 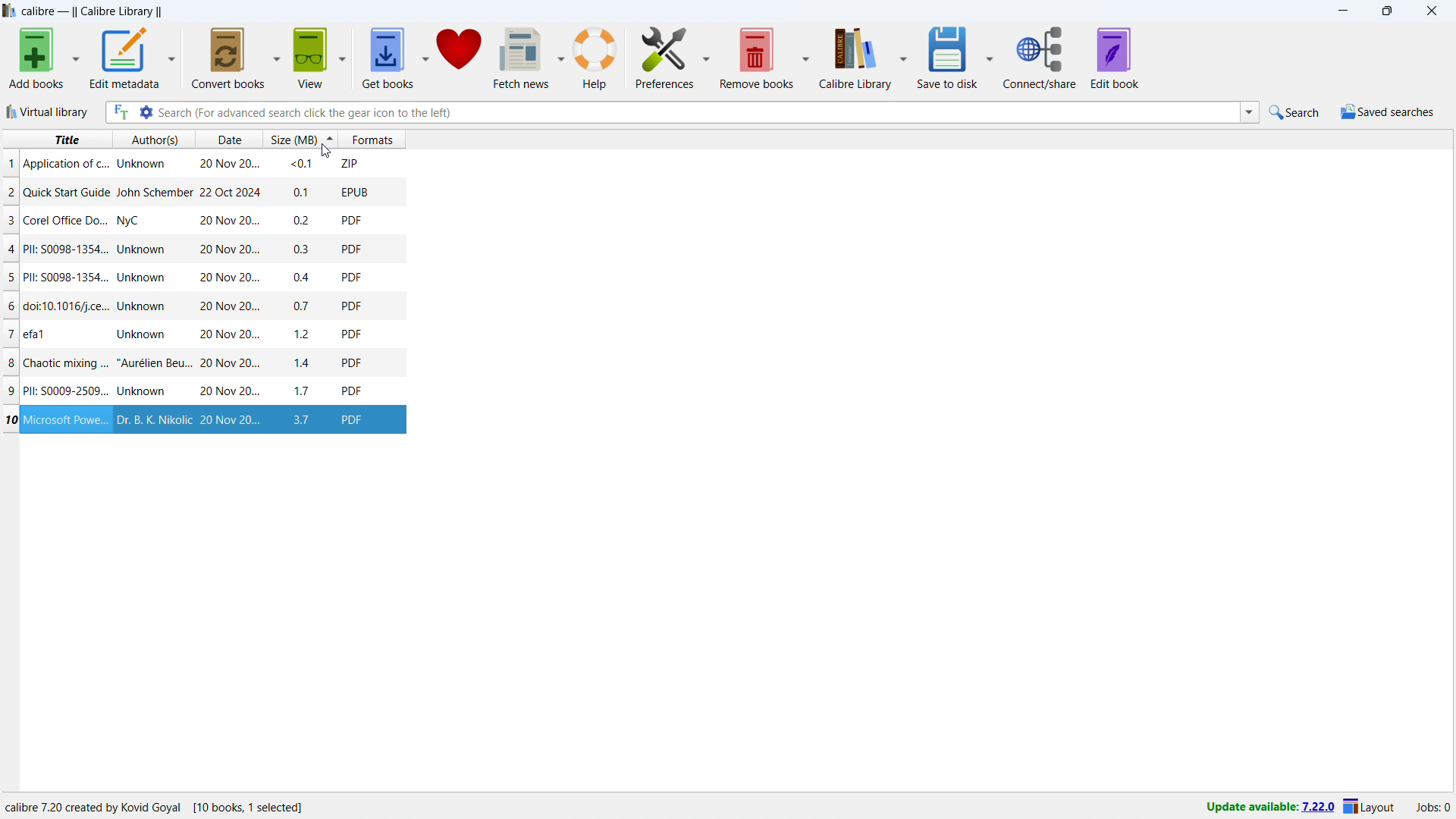 I want to click on add books options, so click(x=77, y=57).